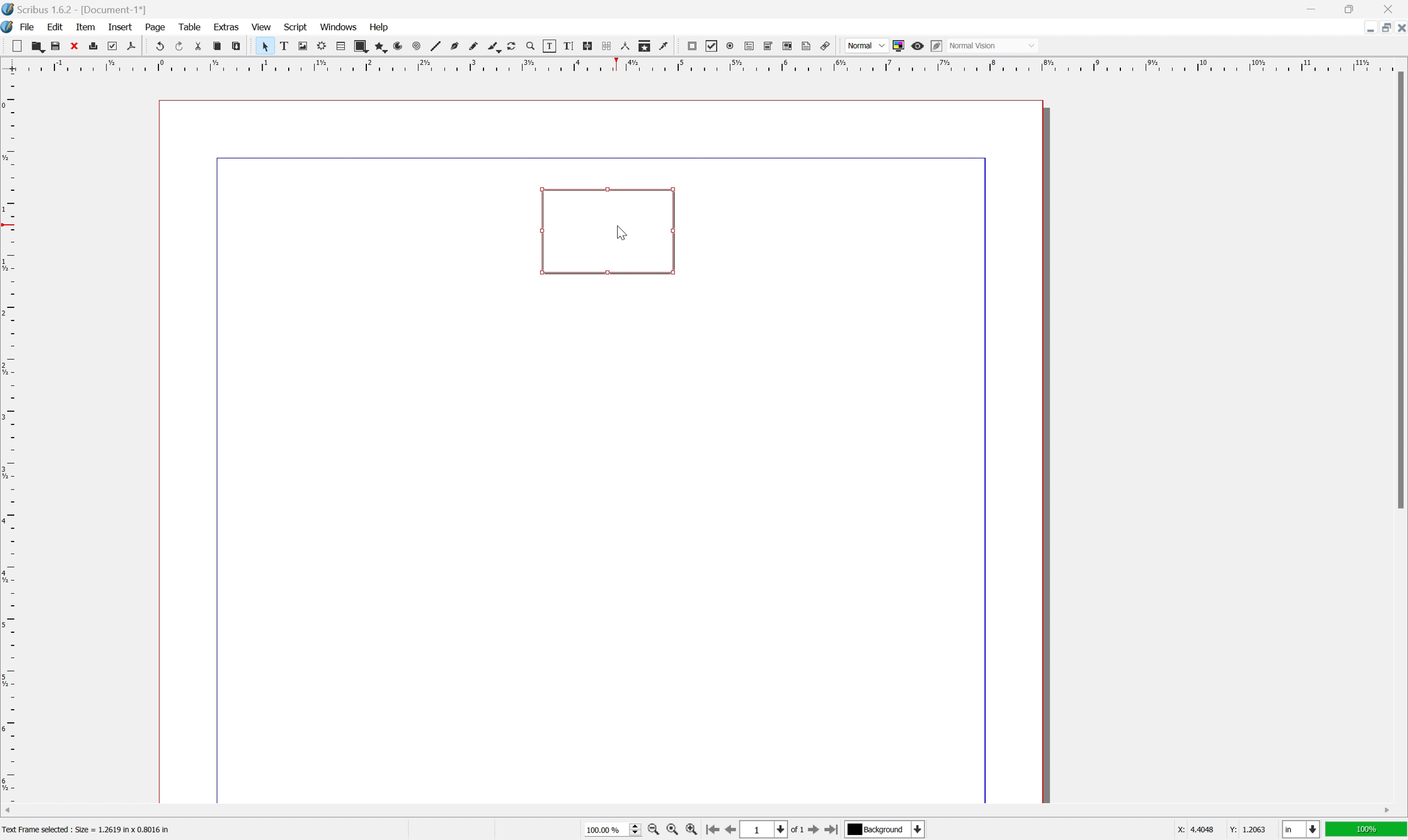 The width and height of the screenshot is (1408, 840). Describe the element at coordinates (237, 46) in the screenshot. I see `paste` at that location.